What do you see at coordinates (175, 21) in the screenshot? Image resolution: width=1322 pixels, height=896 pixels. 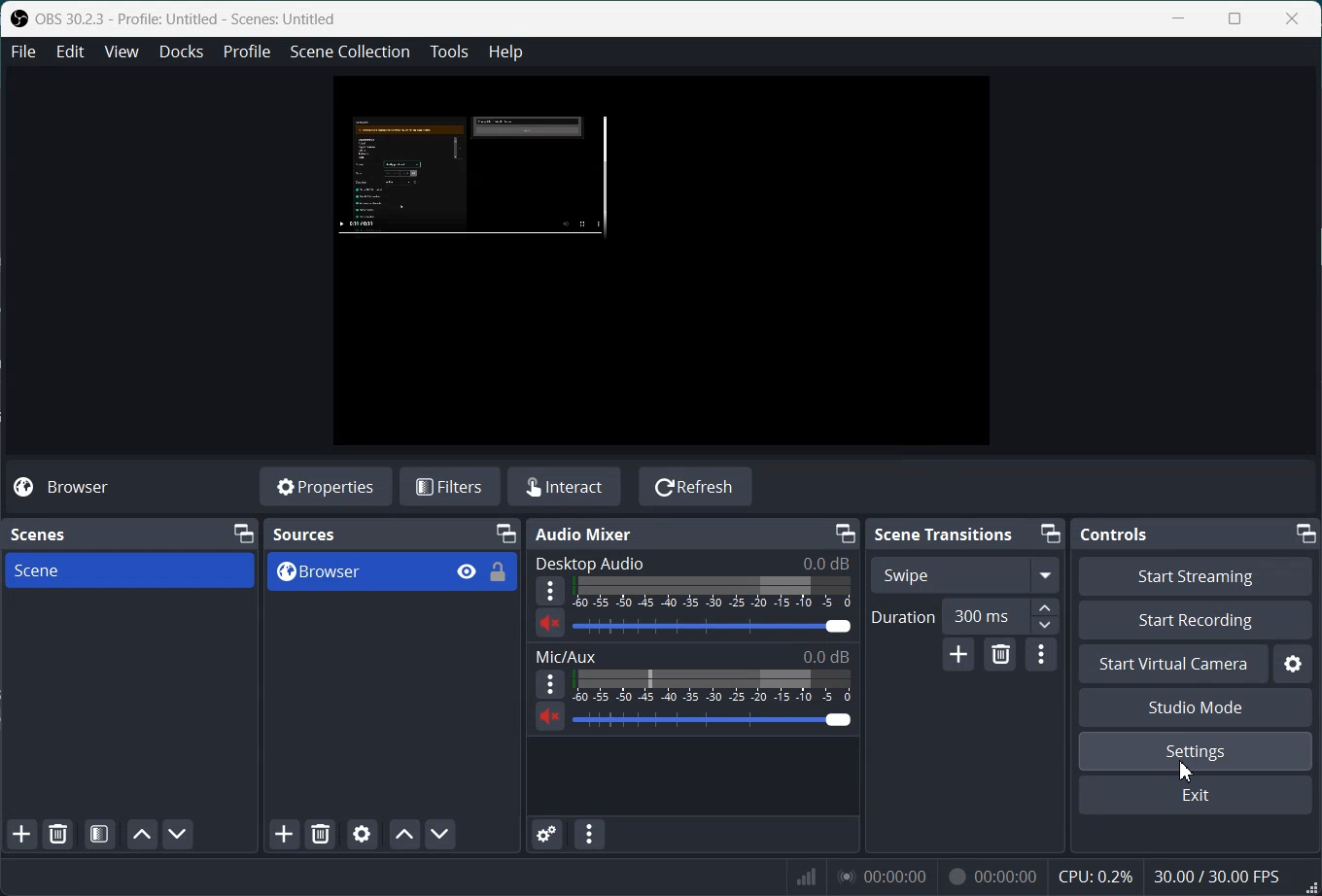 I see `OBS 30.2.3 - Profile: Untitled - Scenes: Untitled` at bounding box center [175, 21].